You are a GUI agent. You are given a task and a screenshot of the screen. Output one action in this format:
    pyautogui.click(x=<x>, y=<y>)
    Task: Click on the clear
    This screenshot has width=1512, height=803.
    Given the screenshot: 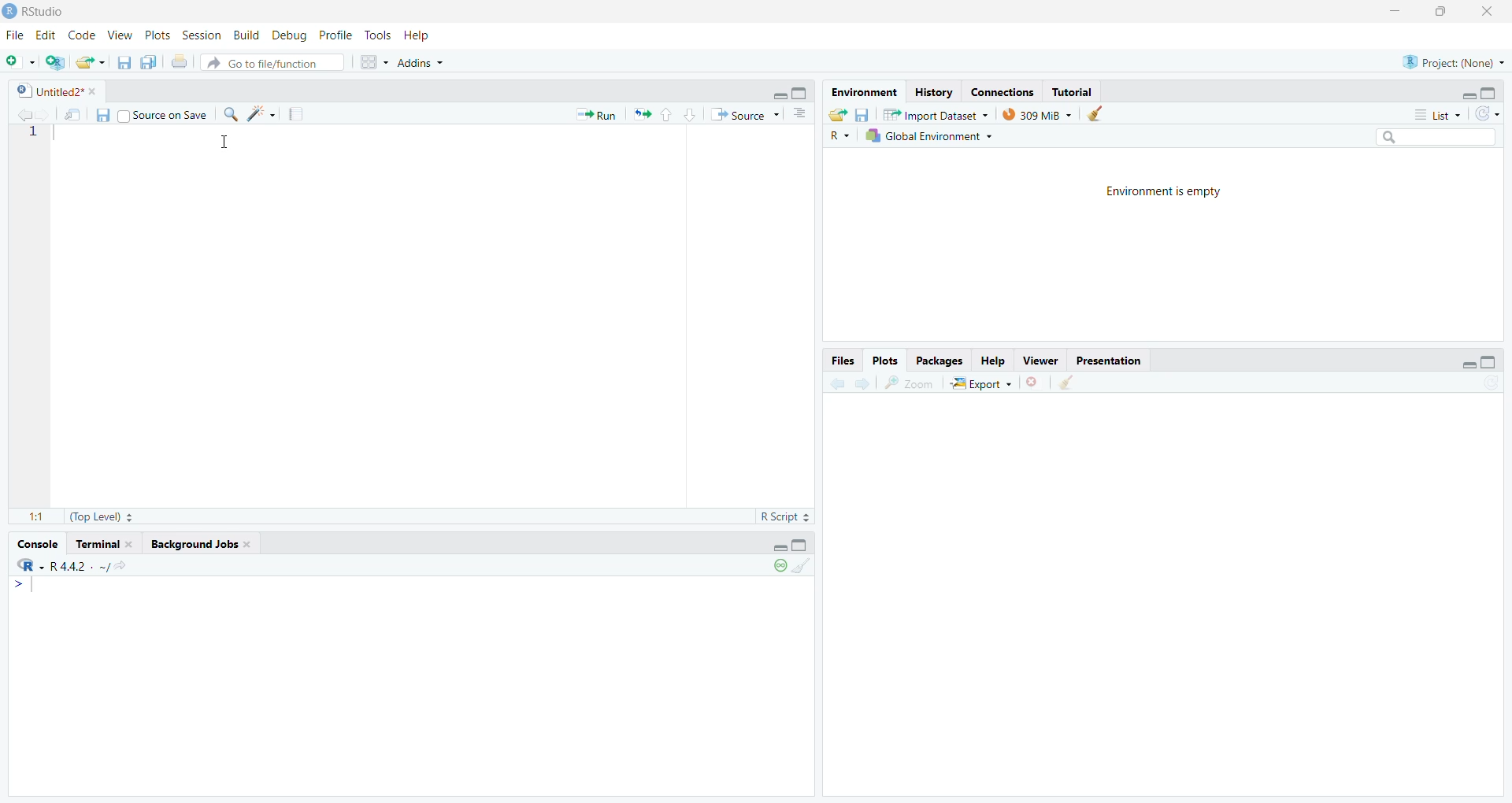 What is the action you would take?
    pyautogui.click(x=805, y=568)
    